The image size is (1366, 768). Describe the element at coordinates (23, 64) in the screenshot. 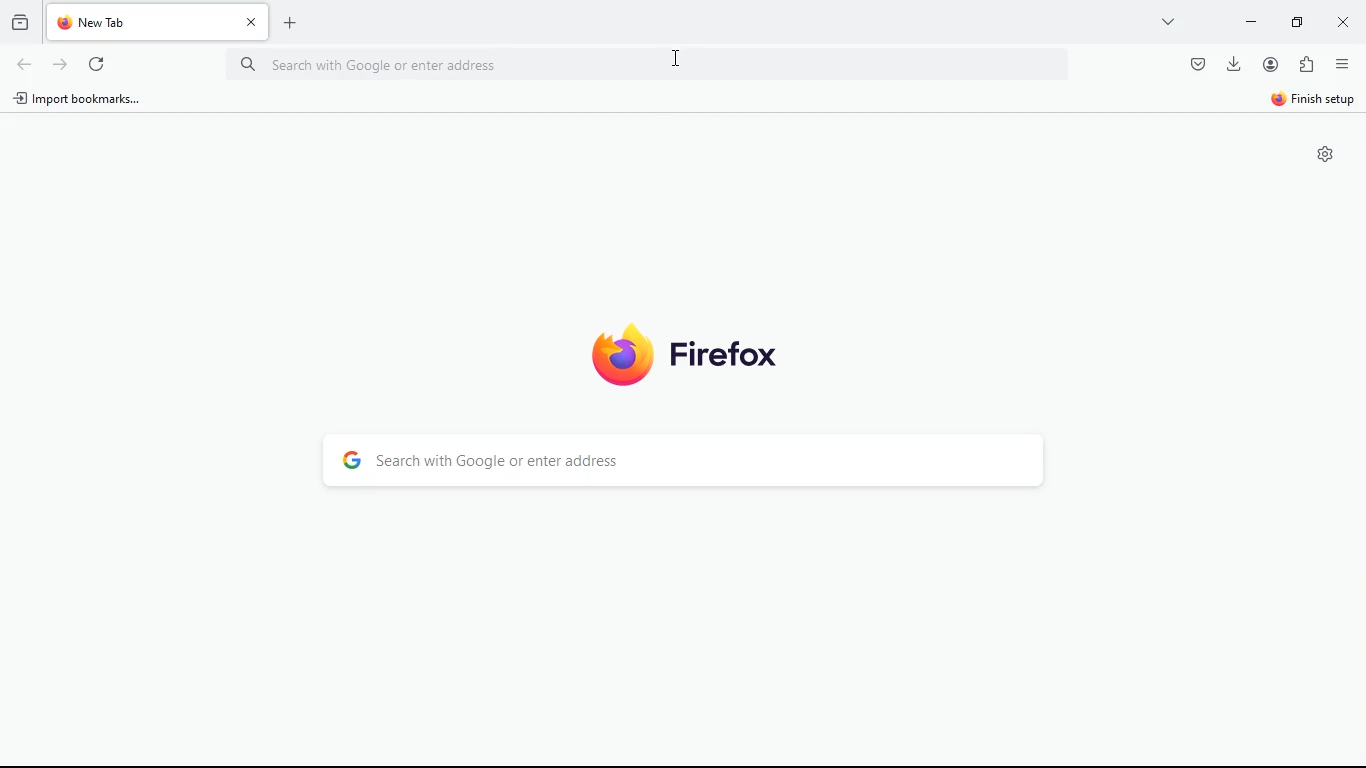

I see `back` at that location.